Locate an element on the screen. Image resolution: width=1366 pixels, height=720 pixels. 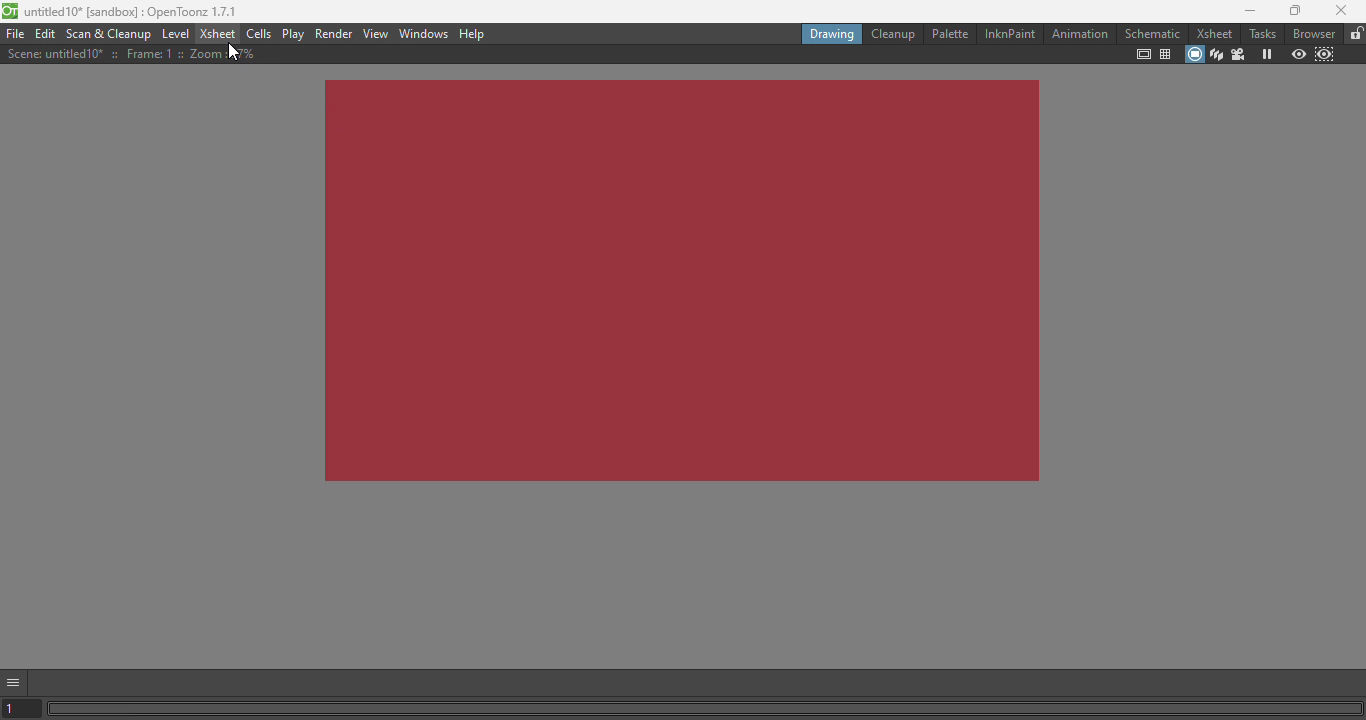
3D view is located at coordinates (1217, 54).